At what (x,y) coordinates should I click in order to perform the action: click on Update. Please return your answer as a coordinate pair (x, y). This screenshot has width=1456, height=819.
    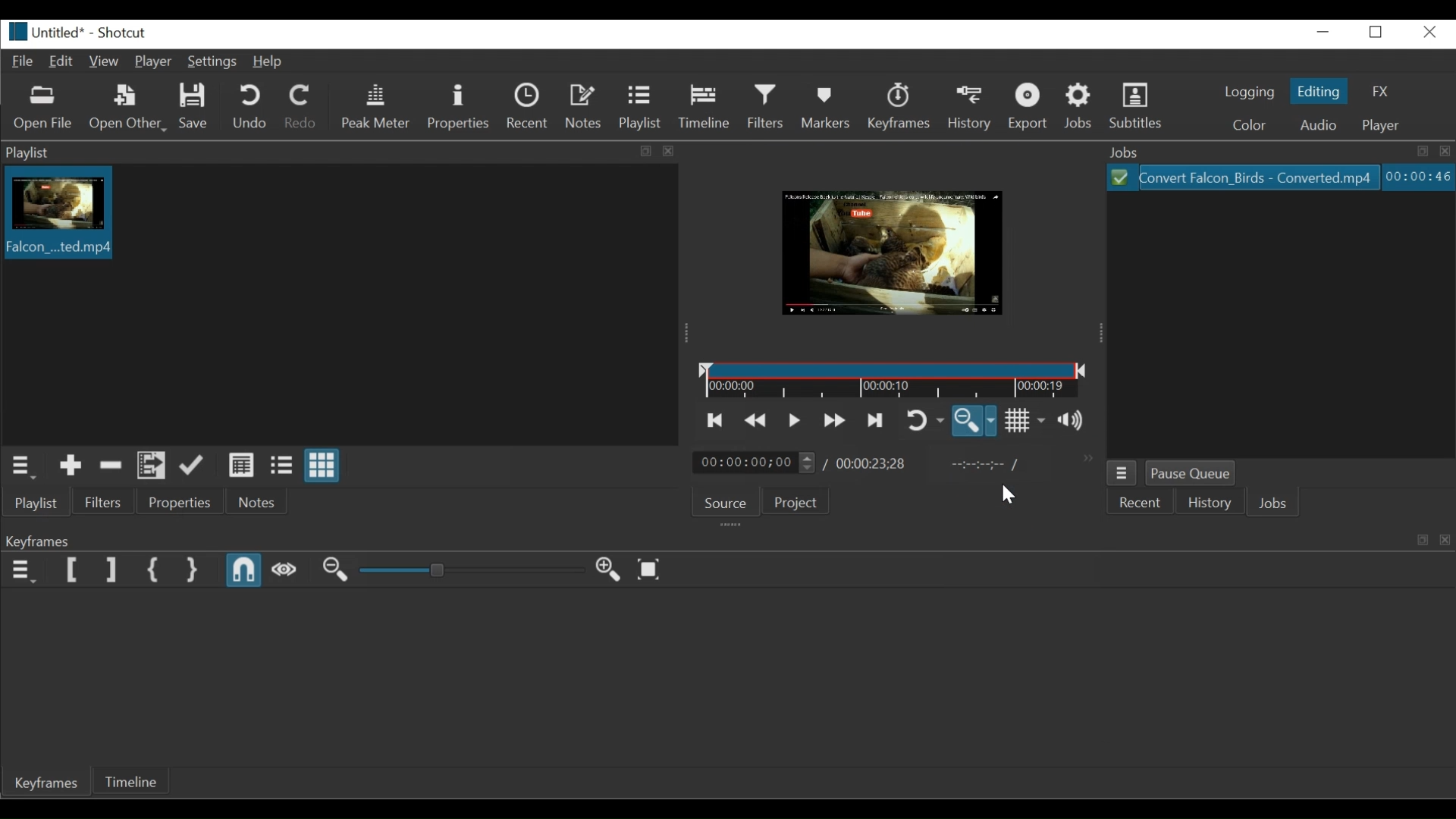
    Looking at the image, I should click on (189, 466).